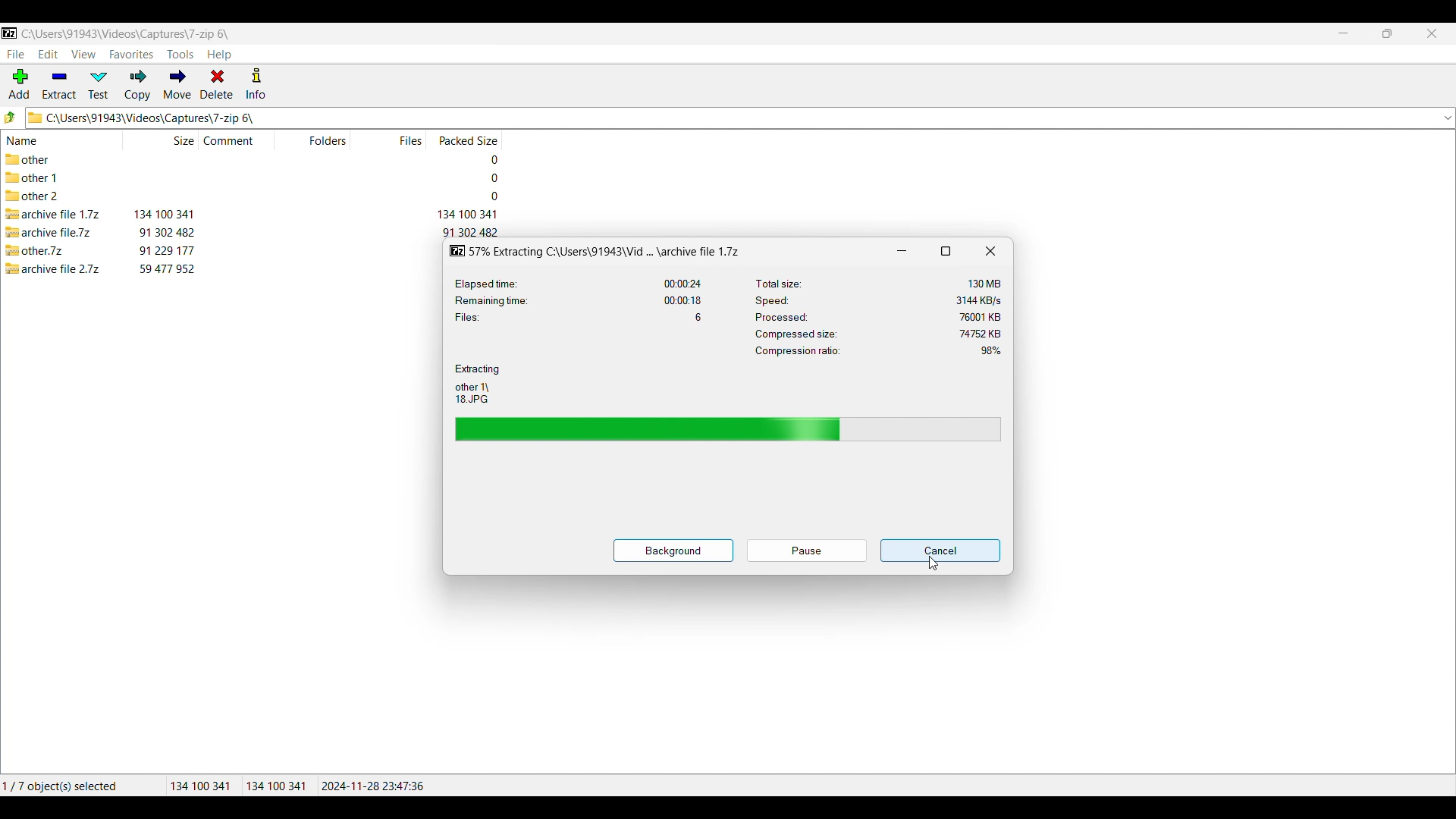 The image size is (1456, 819). I want to click on Speed: 3144 KB/s, so click(877, 300).